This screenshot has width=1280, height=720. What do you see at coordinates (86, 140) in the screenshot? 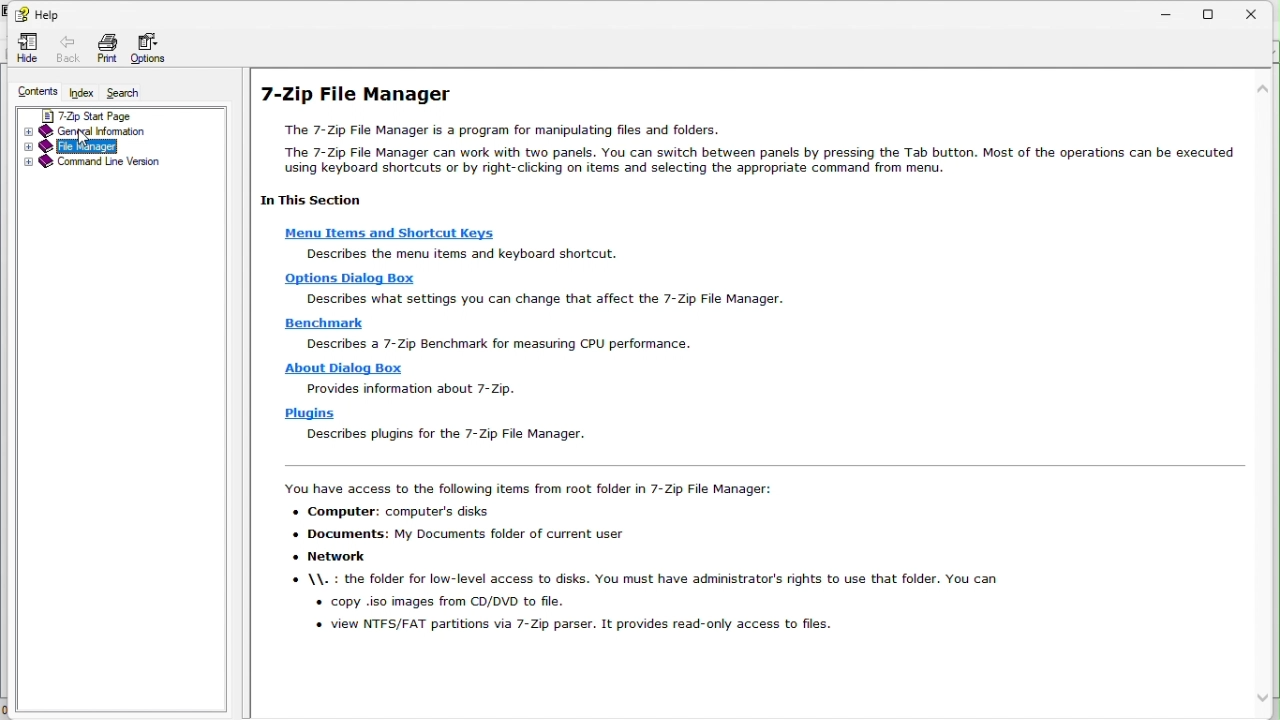
I see `cursor` at bounding box center [86, 140].